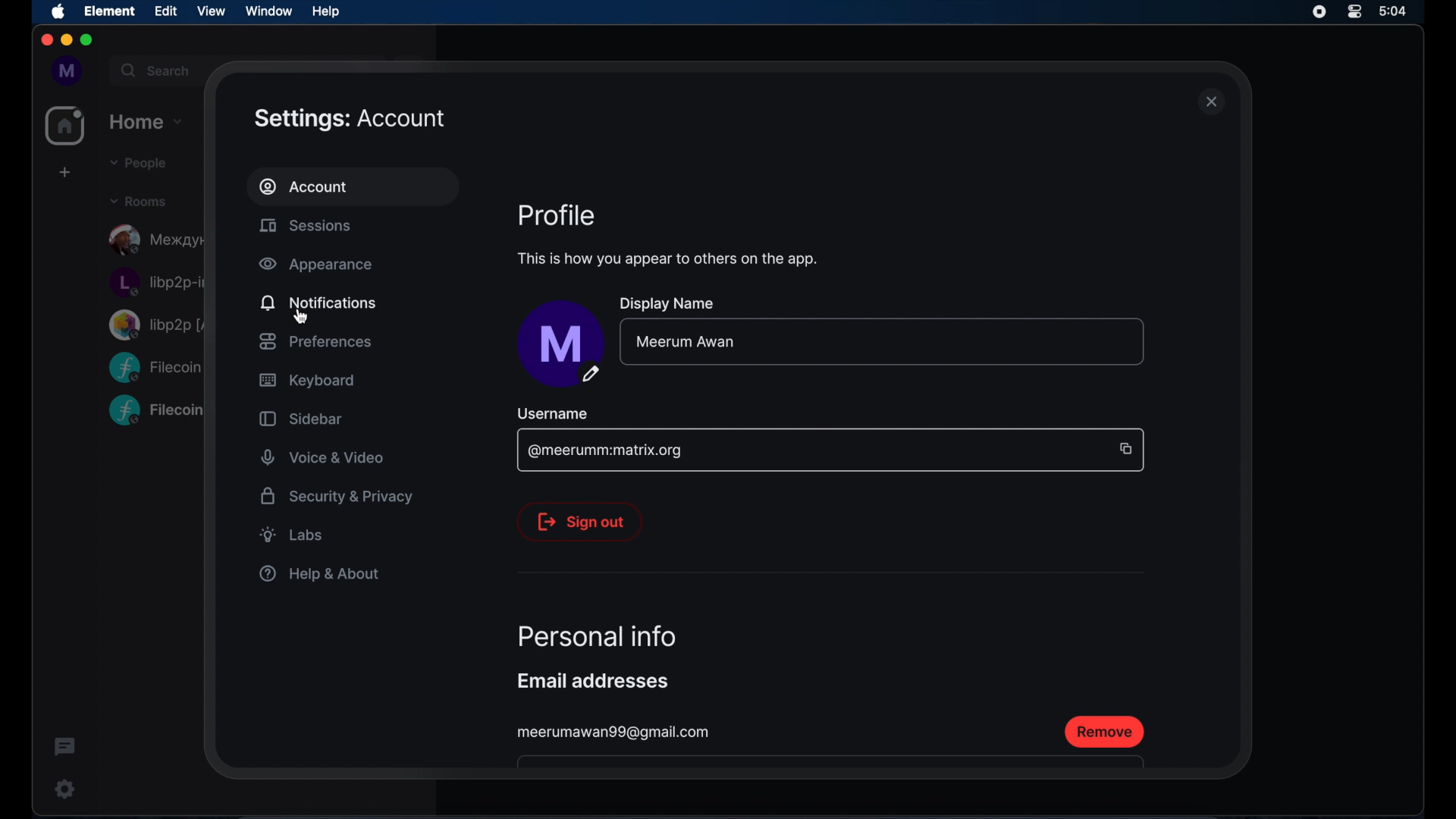  Describe the element at coordinates (65, 40) in the screenshot. I see `minimize` at that location.